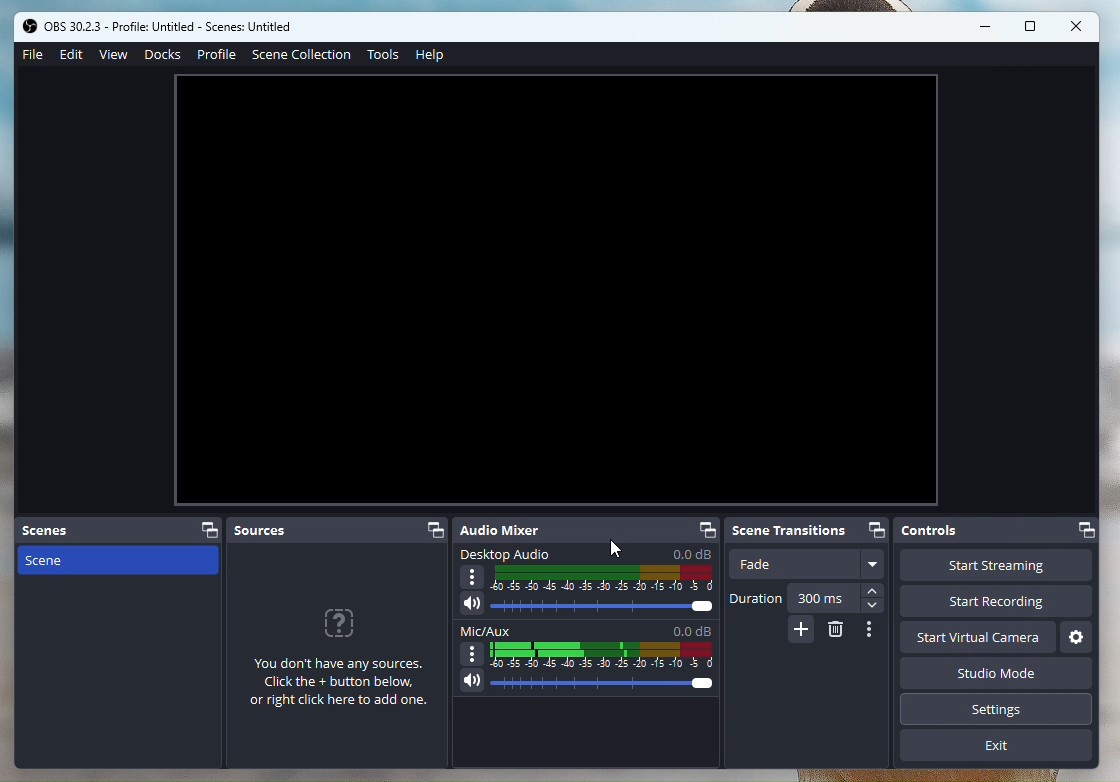  What do you see at coordinates (926, 531) in the screenshot?
I see `Controls` at bounding box center [926, 531].